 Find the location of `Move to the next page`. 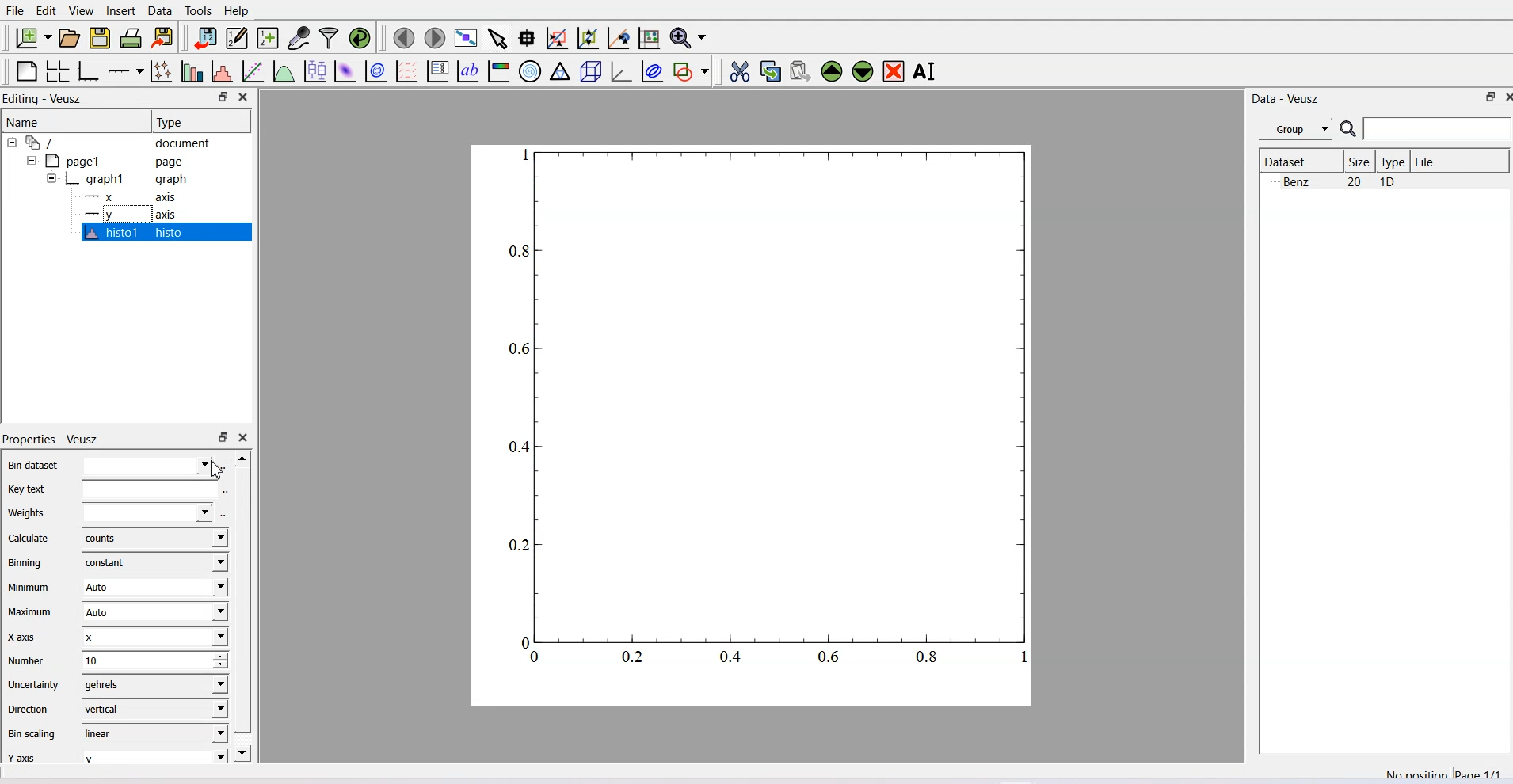

Move to the next page is located at coordinates (436, 38).